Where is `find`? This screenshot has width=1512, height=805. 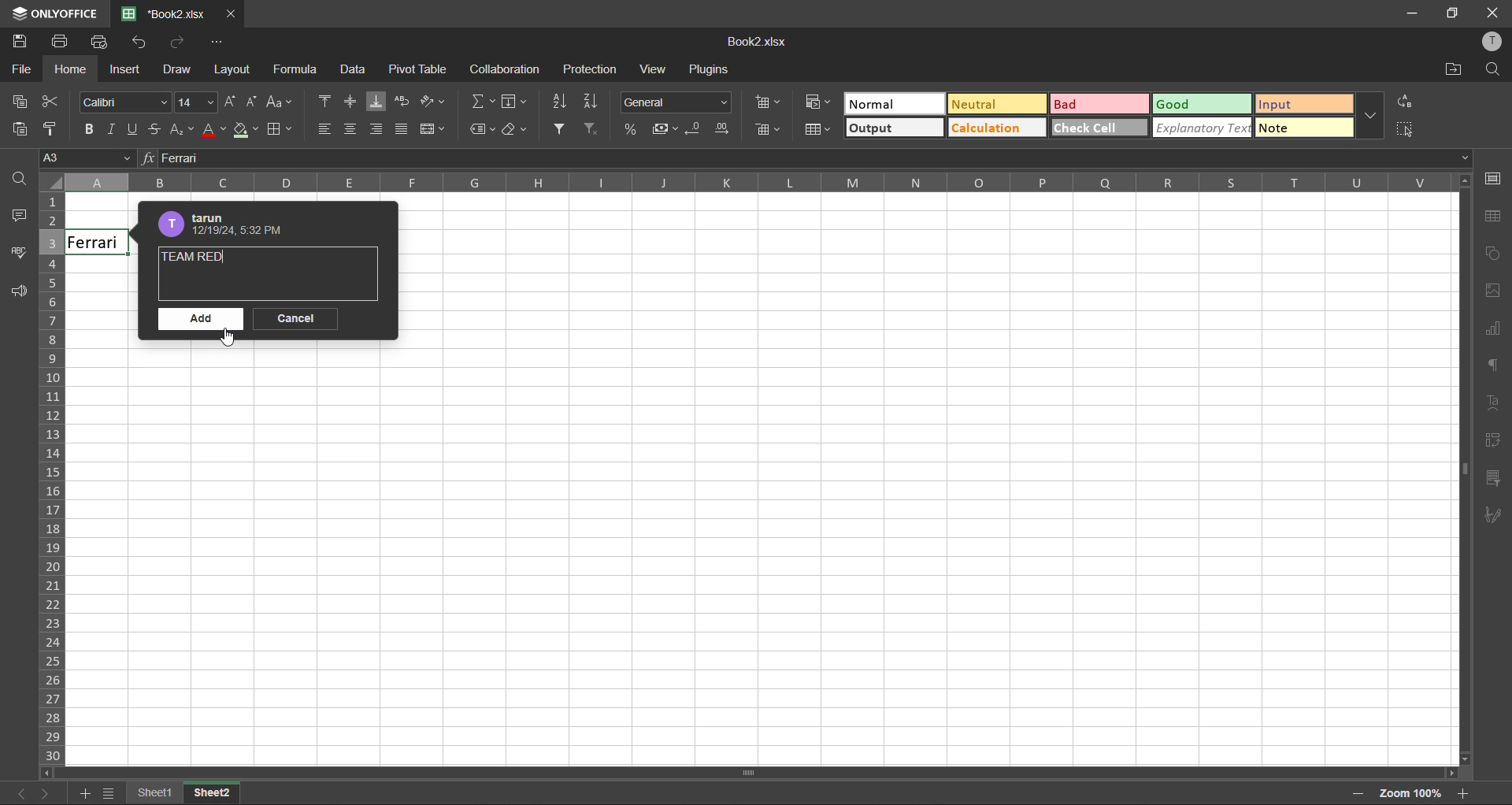
find is located at coordinates (21, 182).